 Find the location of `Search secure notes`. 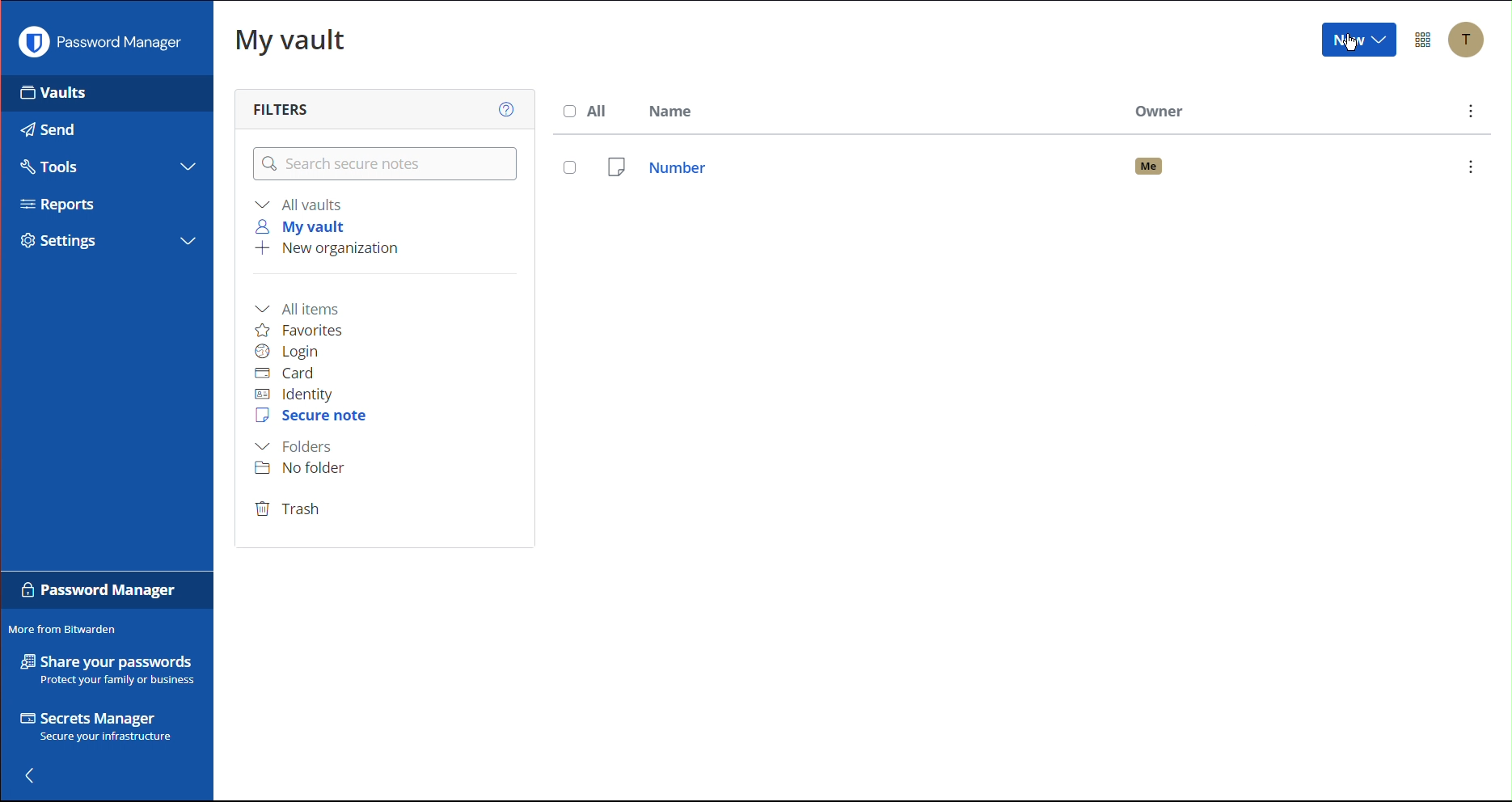

Search secure notes is located at coordinates (383, 164).